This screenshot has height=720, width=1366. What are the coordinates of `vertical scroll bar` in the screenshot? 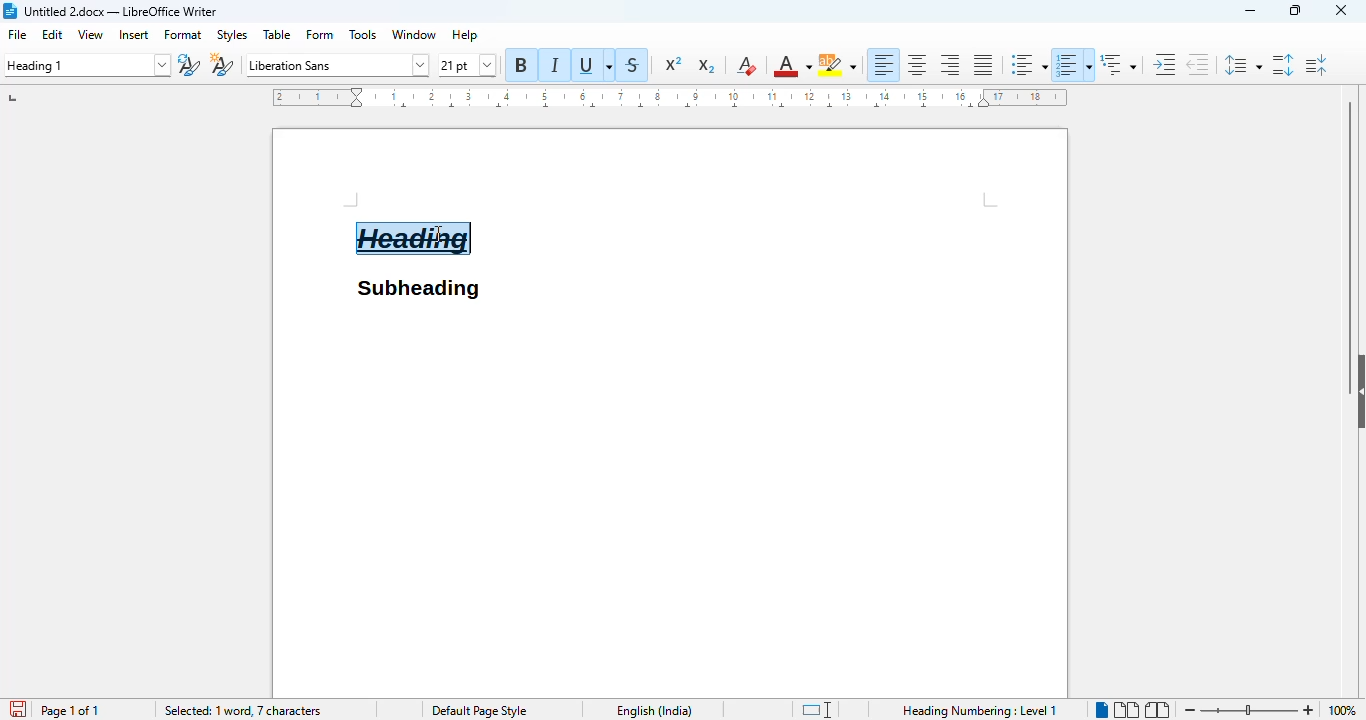 It's located at (1349, 217).